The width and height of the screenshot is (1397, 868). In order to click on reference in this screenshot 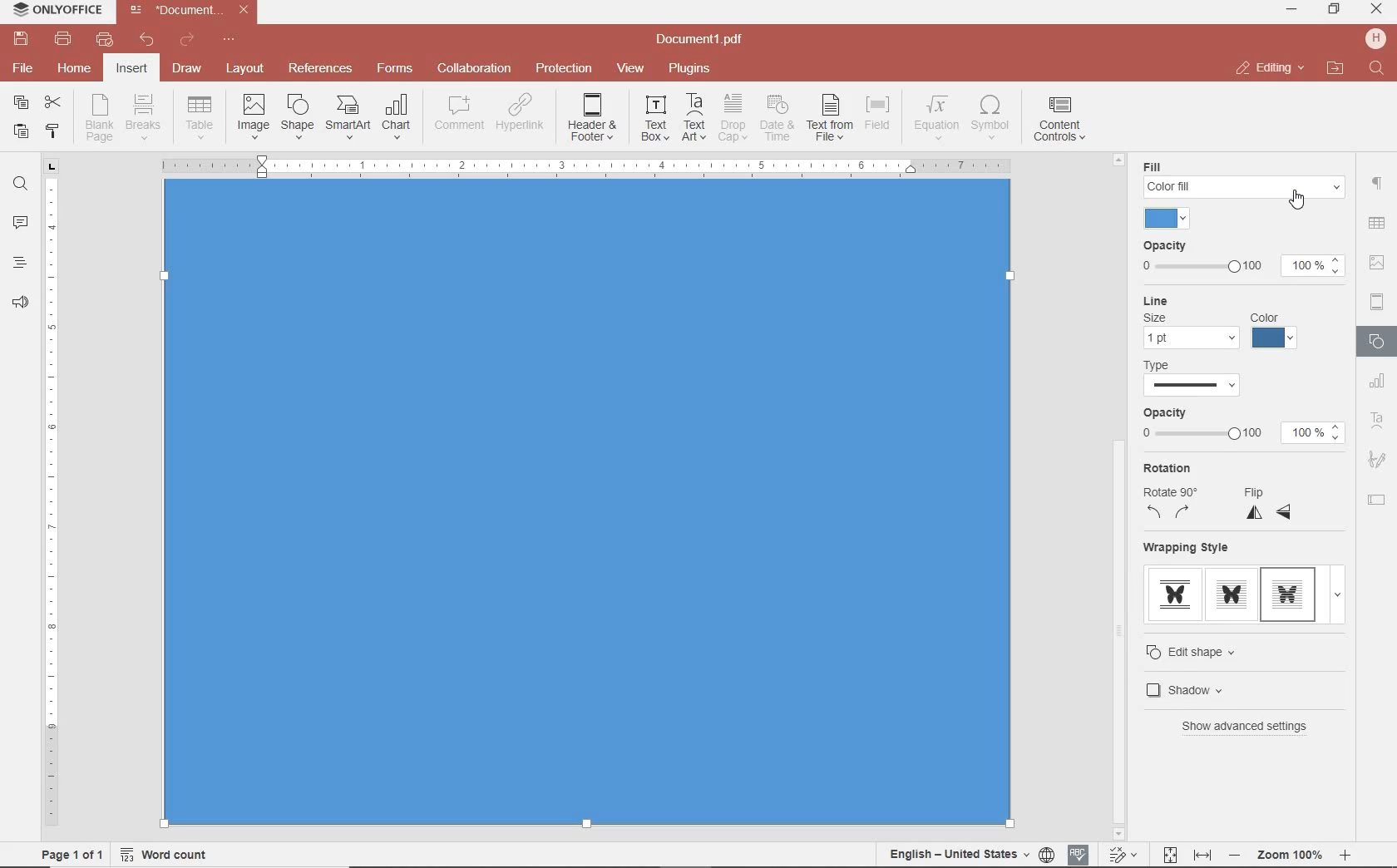, I will do `click(318, 69)`.